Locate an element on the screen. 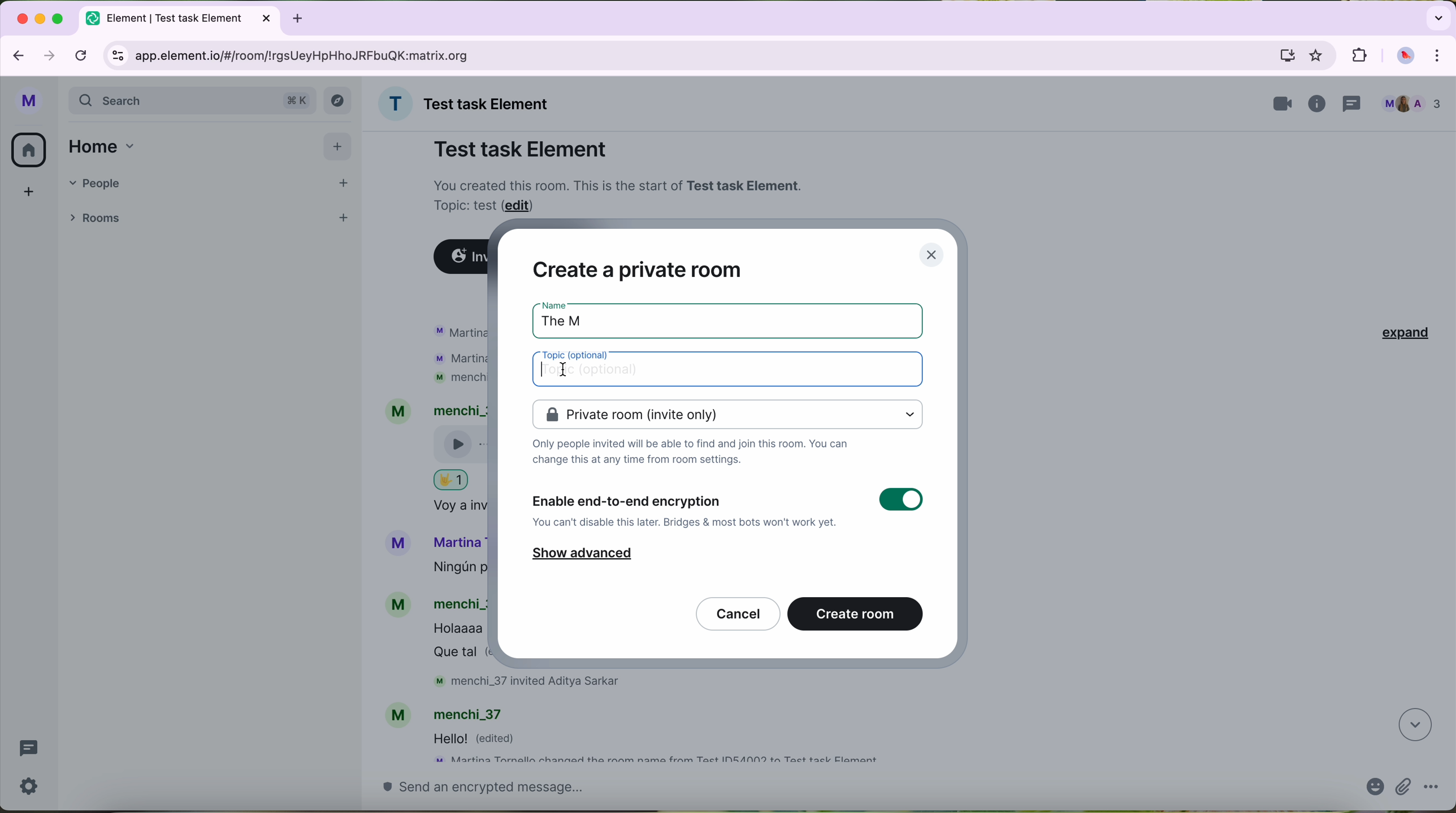 Image resolution: width=1456 pixels, height=813 pixels. search tabs is located at coordinates (1437, 17).